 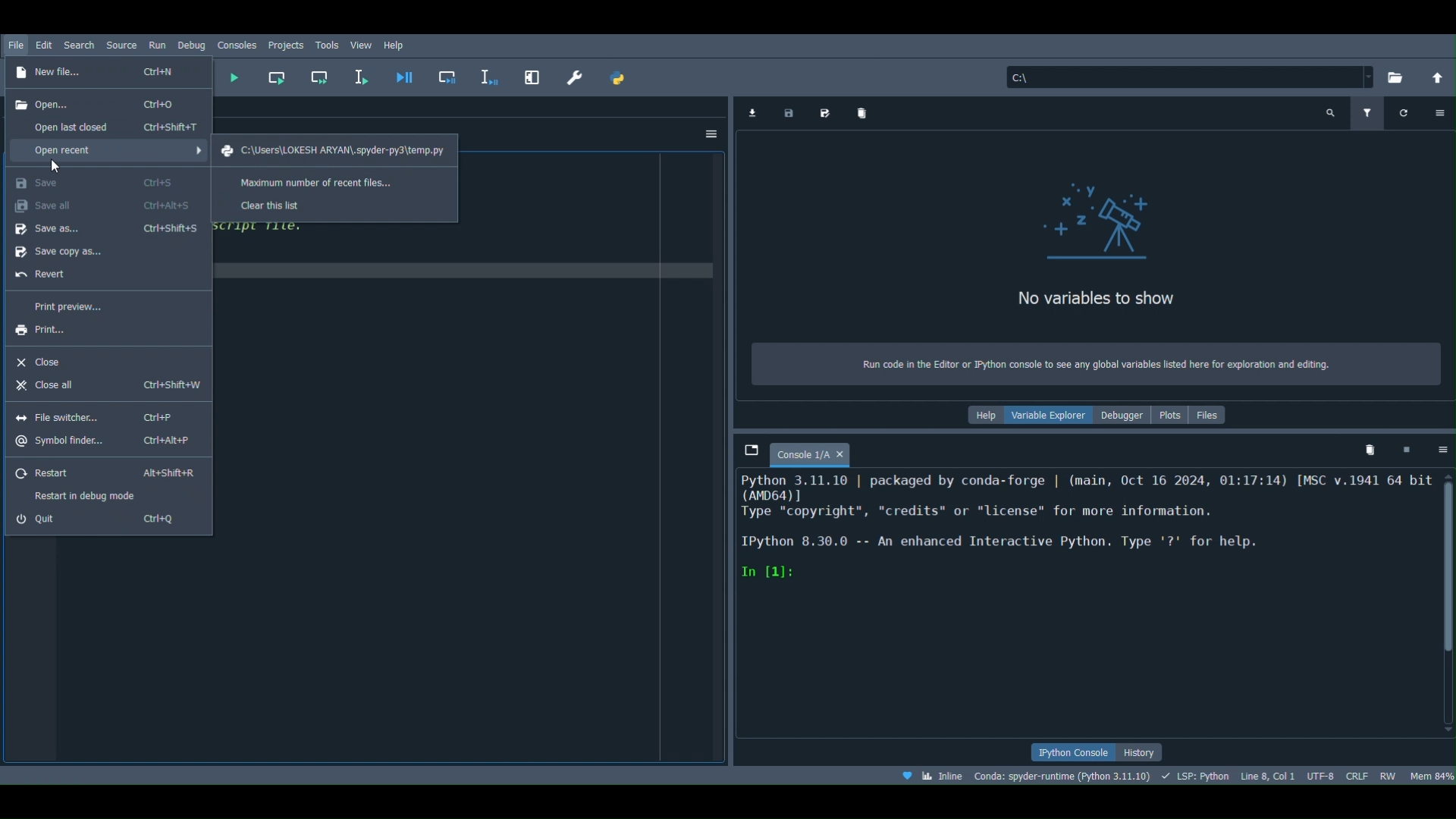 What do you see at coordinates (331, 43) in the screenshot?
I see `Task` at bounding box center [331, 43].